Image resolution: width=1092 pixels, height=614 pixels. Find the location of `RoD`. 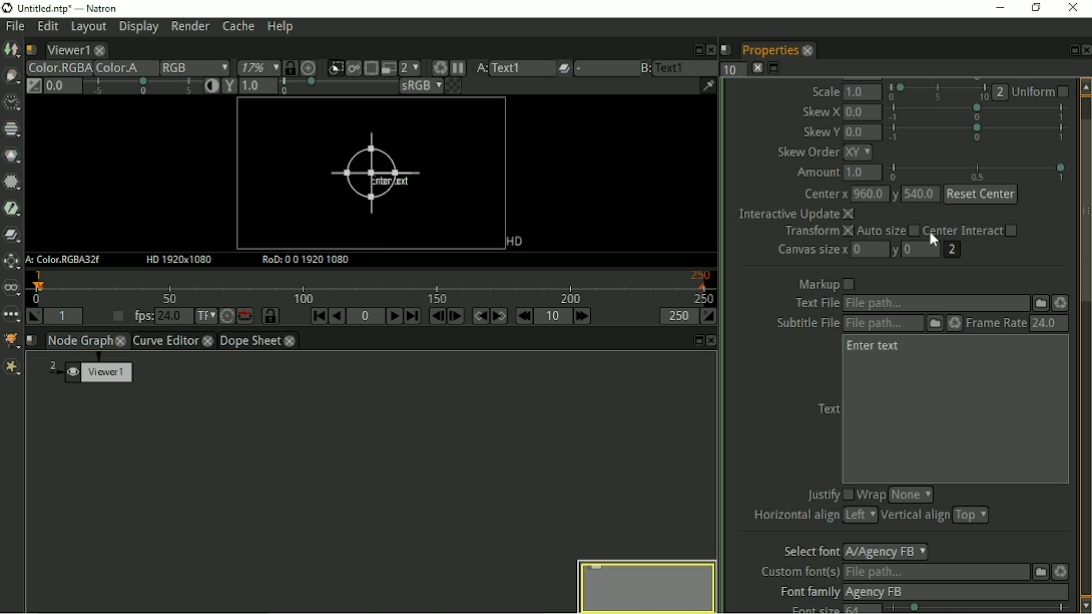

RoD is located at coordinates (307, 260).